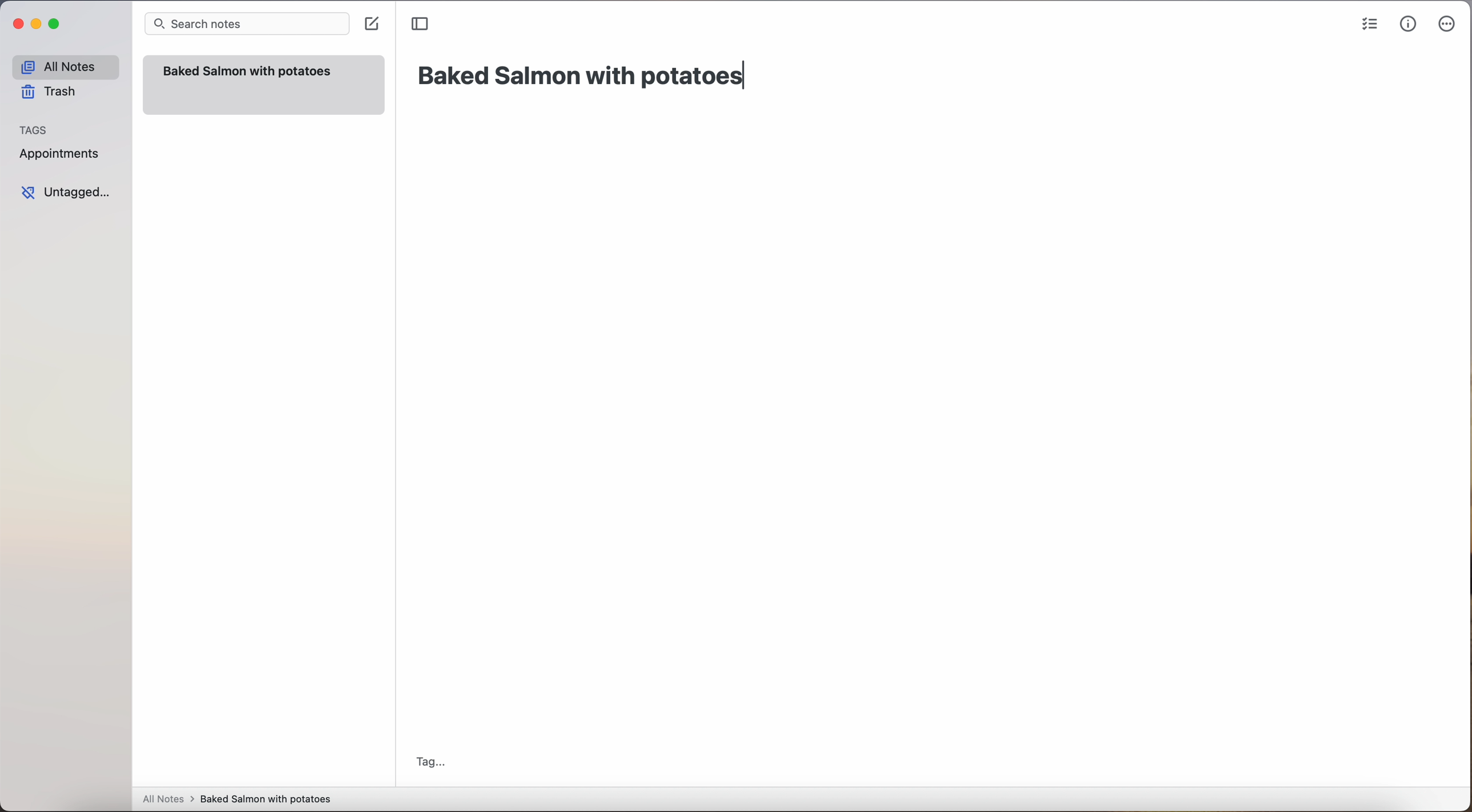 This screenshot has height=812, width=1472. Describe the element at coordinates (36, 25) in the screenshot. I see `minimize Simplenote` at that location.